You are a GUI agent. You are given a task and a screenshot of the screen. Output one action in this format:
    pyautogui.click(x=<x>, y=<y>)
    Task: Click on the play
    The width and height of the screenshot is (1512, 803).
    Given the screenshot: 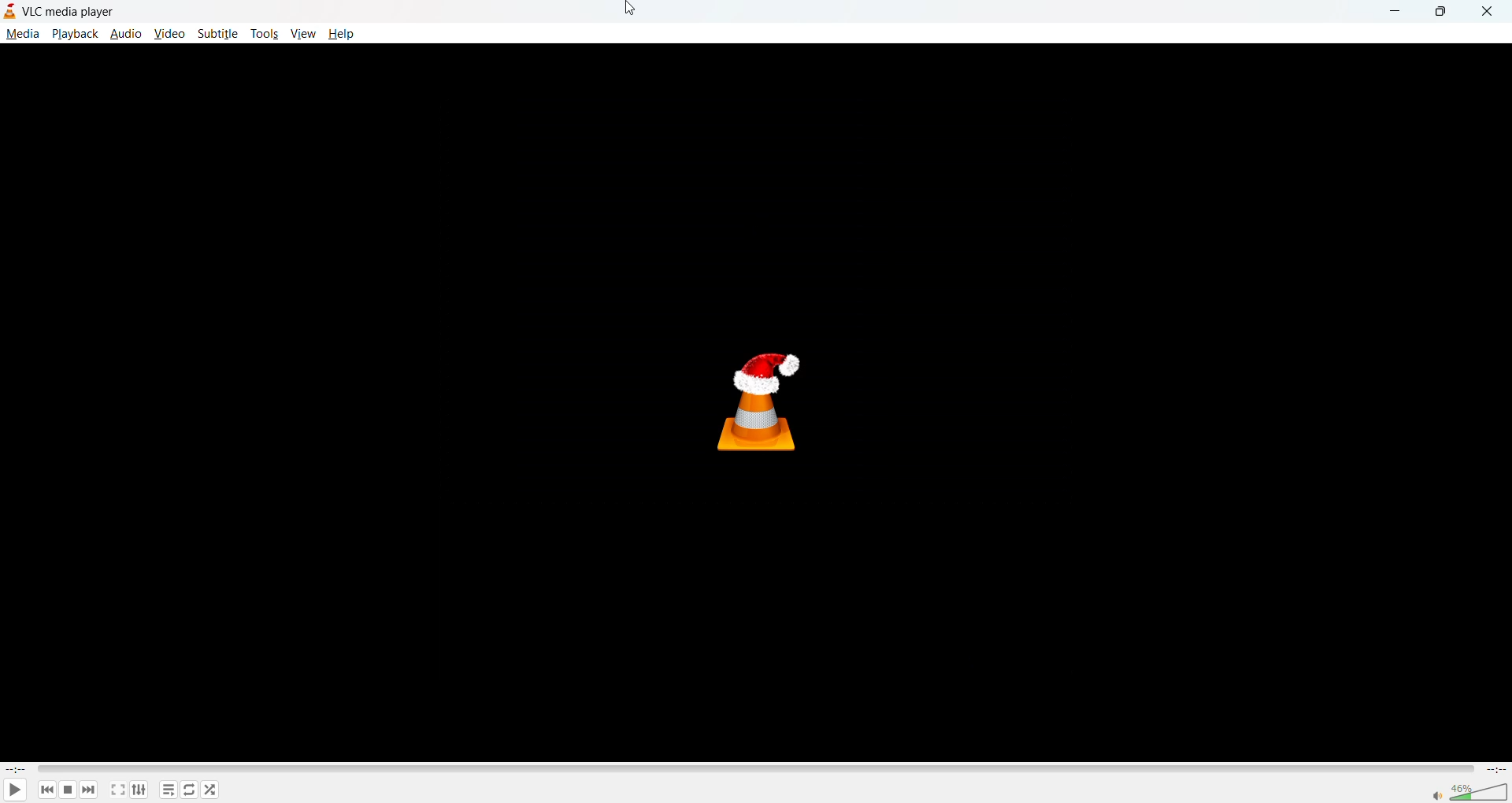 What is the action you would take?
    pyautogui.click(x=13, y=789)
    